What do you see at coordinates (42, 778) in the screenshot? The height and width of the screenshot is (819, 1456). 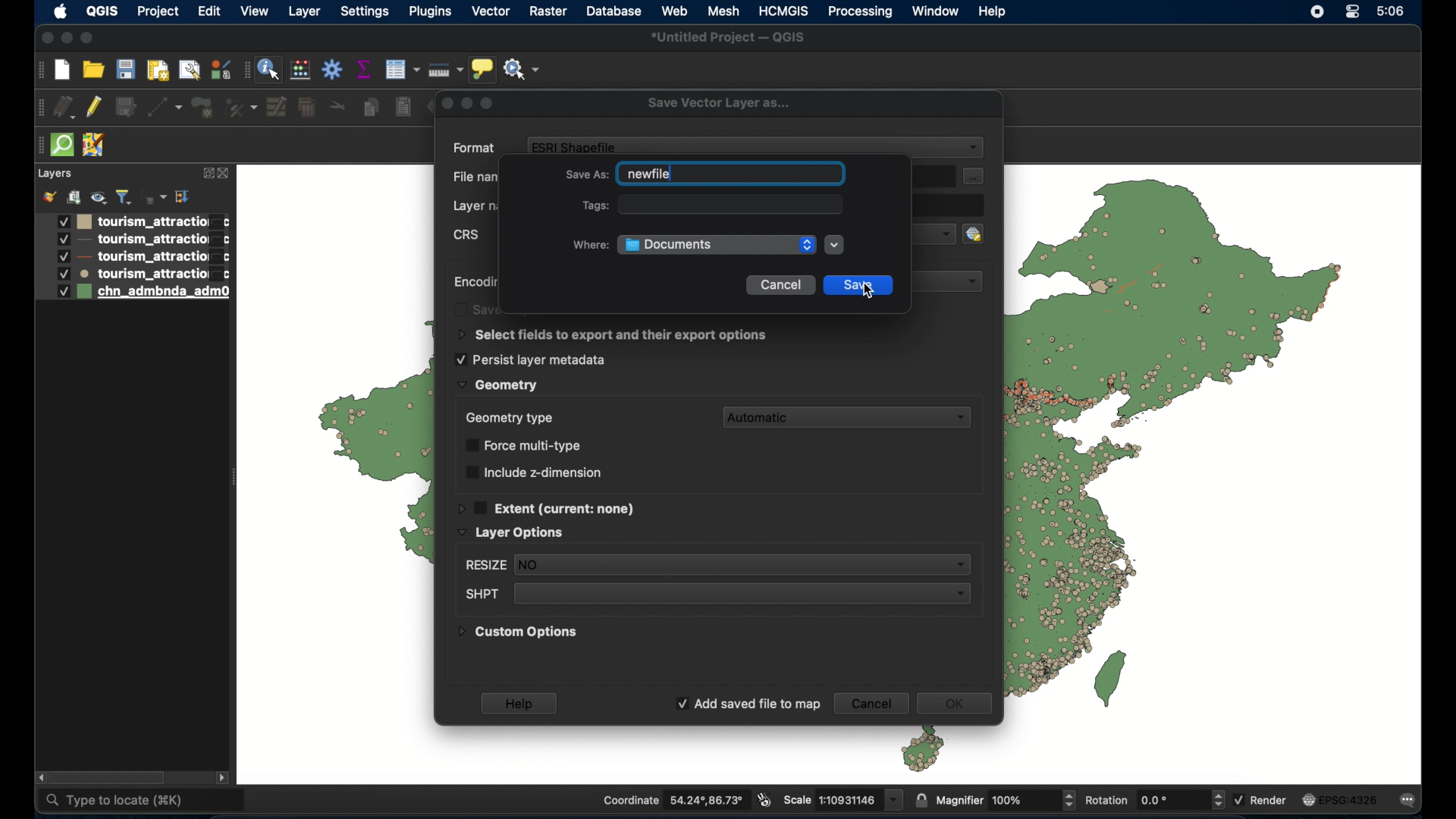 I see `scroll left arrow` at bounding box center [42, 778].